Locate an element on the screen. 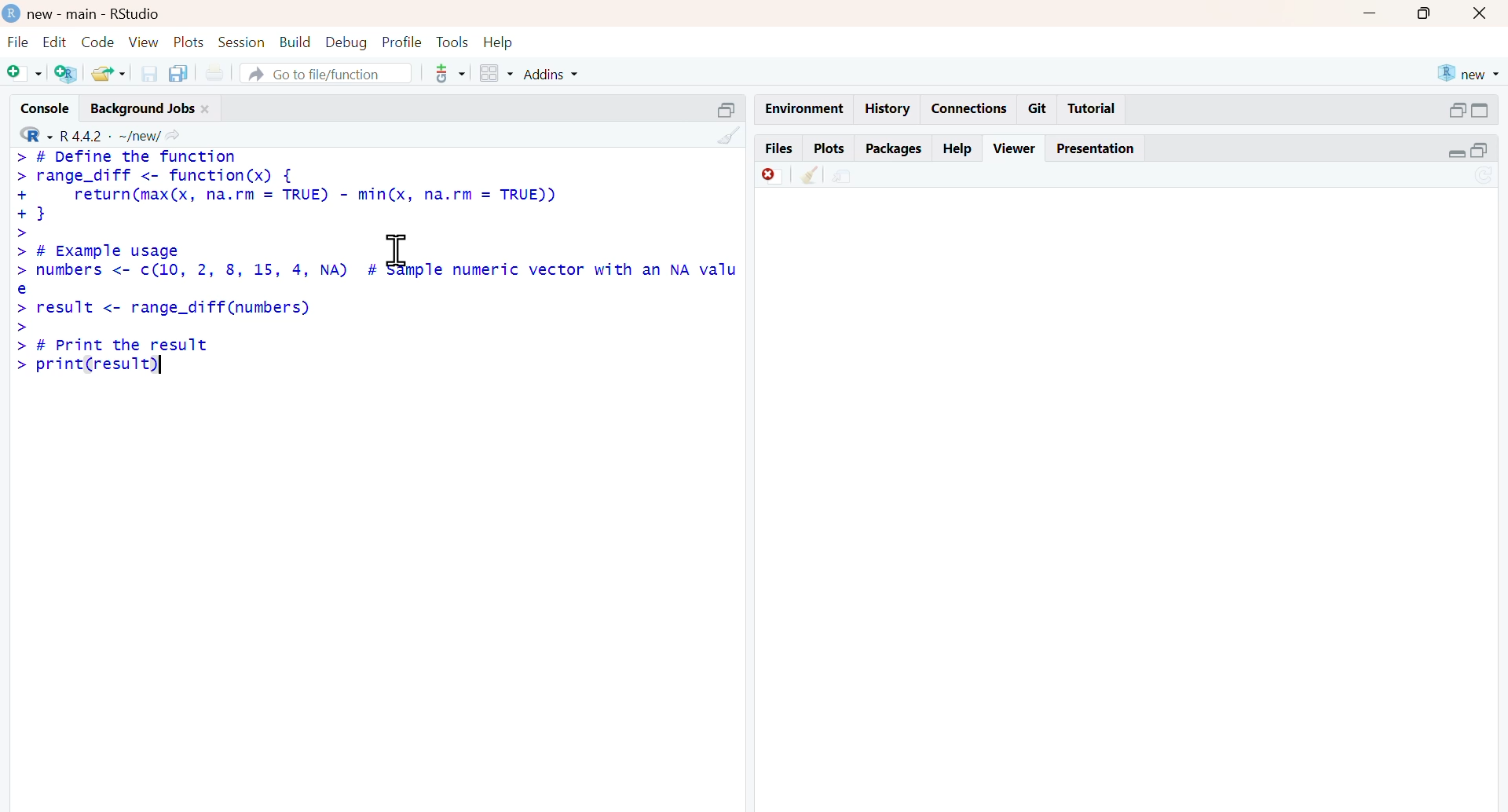 This screenshot has height=812, width=1508. plots is located at coordinates (190, 43).